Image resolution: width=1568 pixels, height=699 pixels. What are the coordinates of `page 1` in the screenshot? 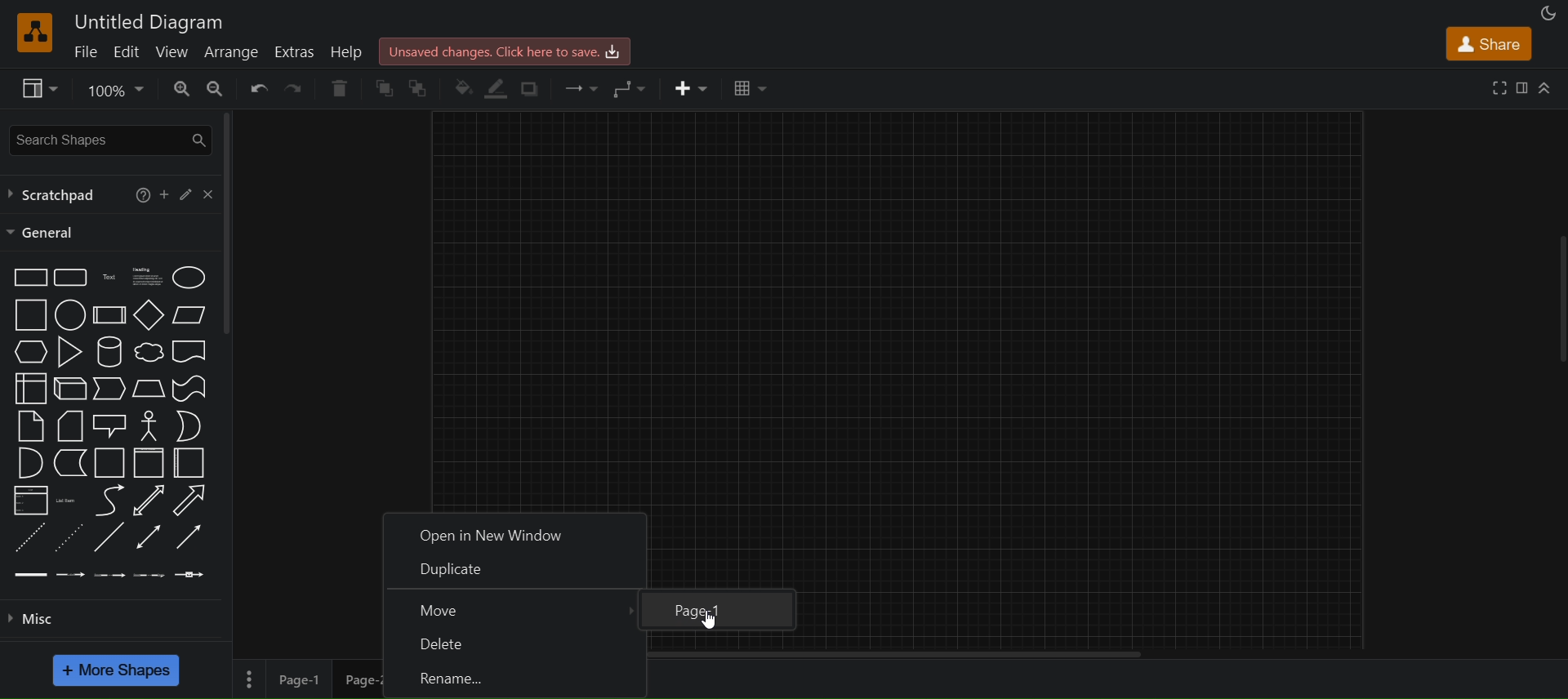 It's located at (301, 679).